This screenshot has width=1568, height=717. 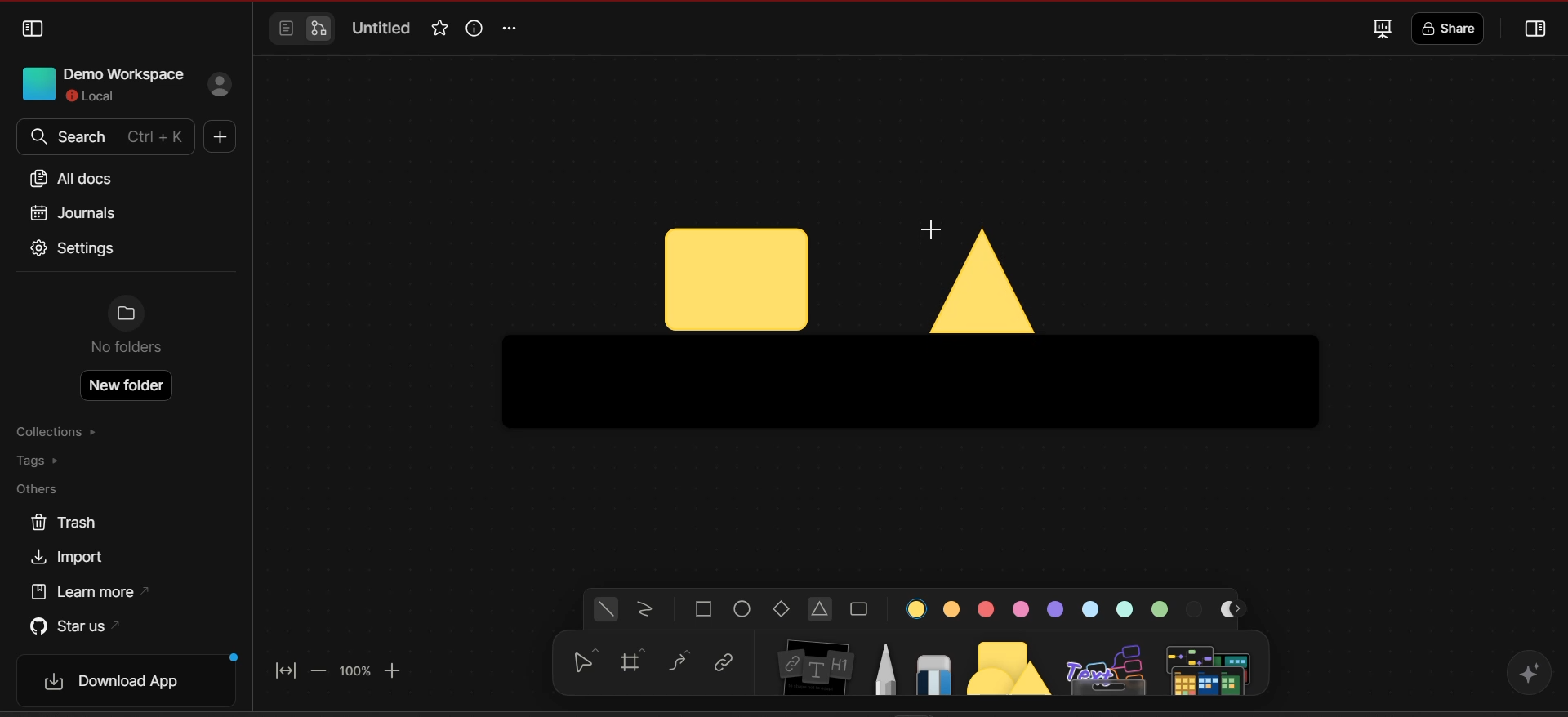 I want to click on hand, so click(x=581, y=664).